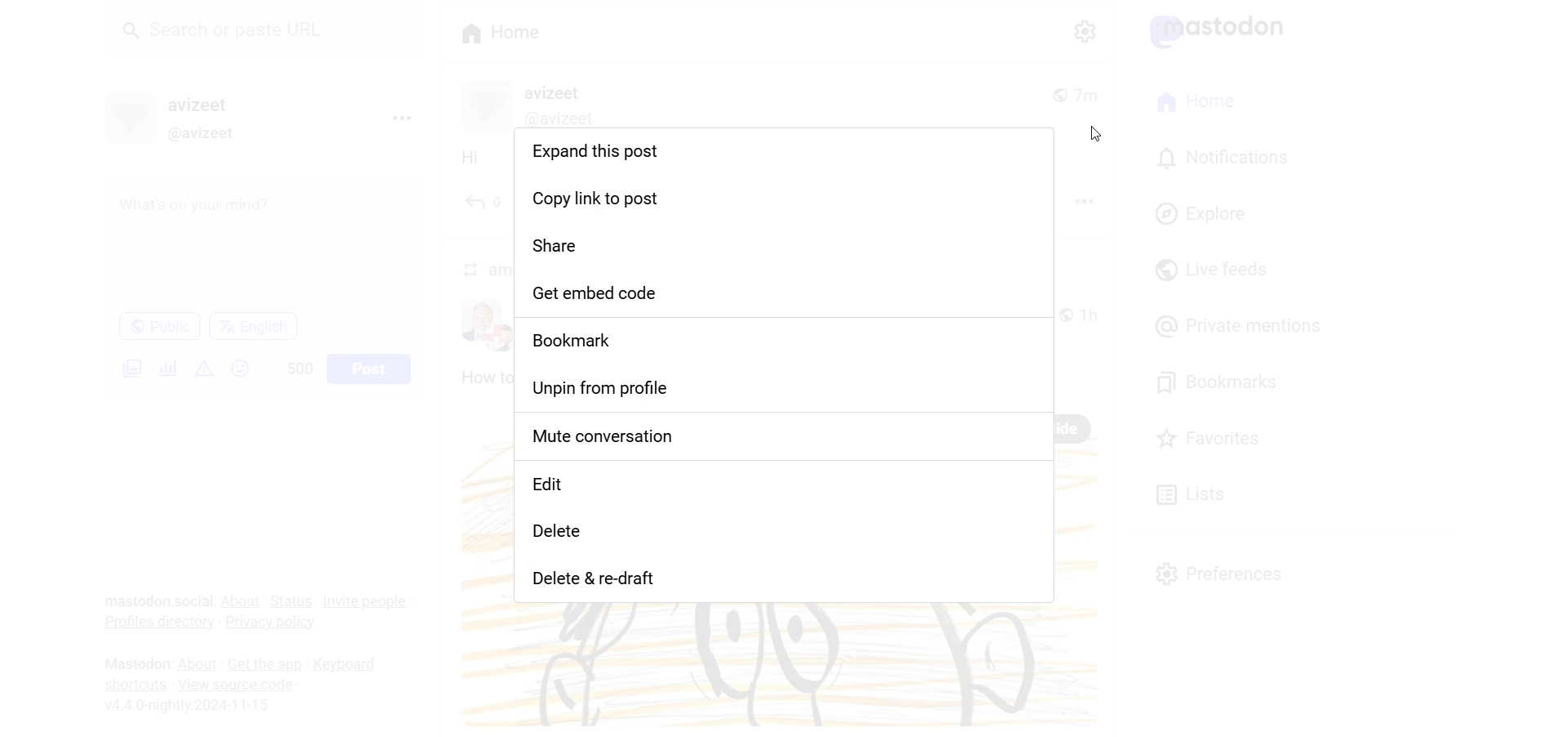  What do you see at coordinates (253, 325) in the screenshot?
I see `Language` at bounding box center [253, 325].